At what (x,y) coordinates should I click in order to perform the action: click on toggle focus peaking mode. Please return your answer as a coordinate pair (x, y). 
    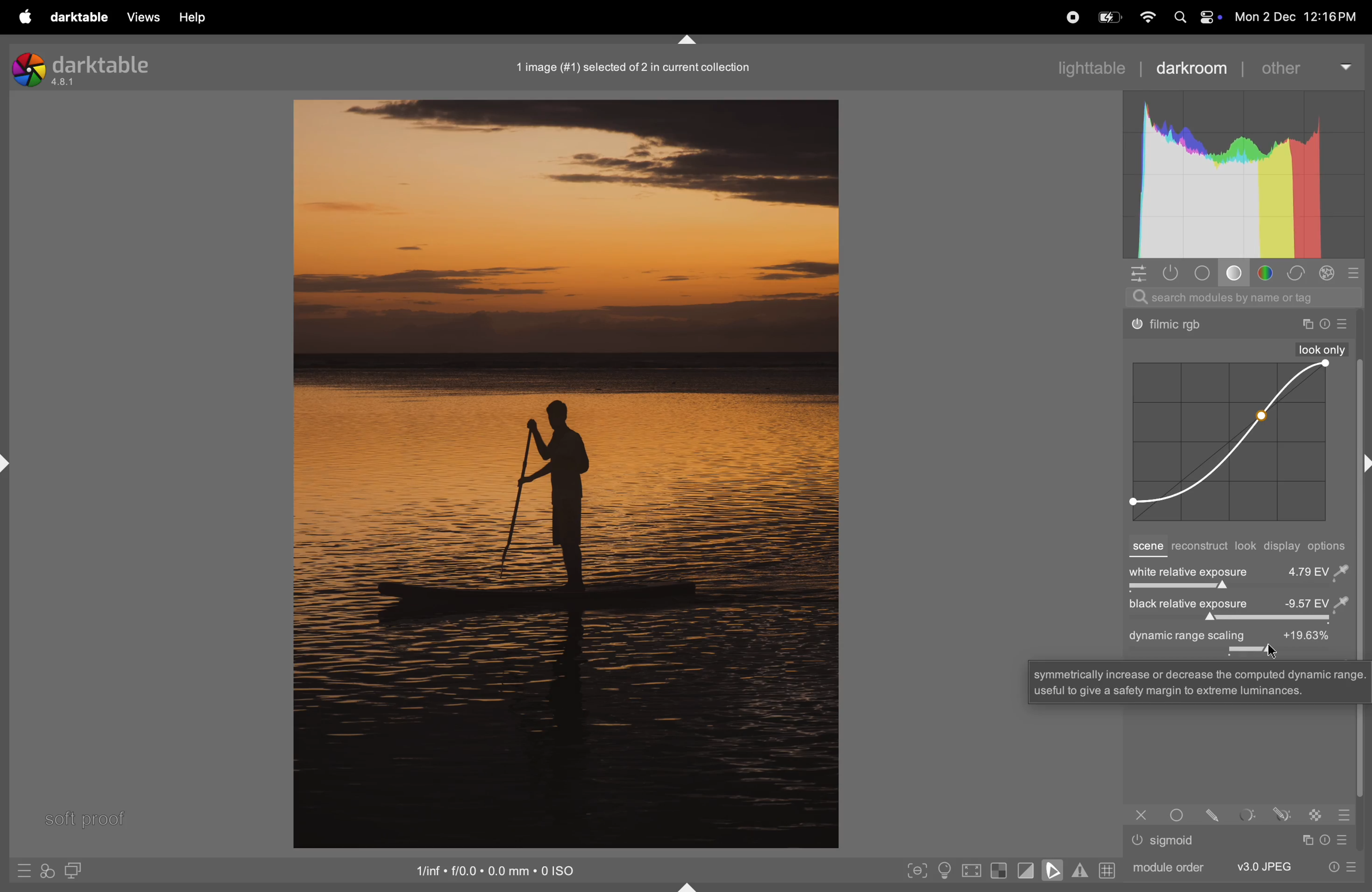
    Looking at the image, I should click on (918, 869).